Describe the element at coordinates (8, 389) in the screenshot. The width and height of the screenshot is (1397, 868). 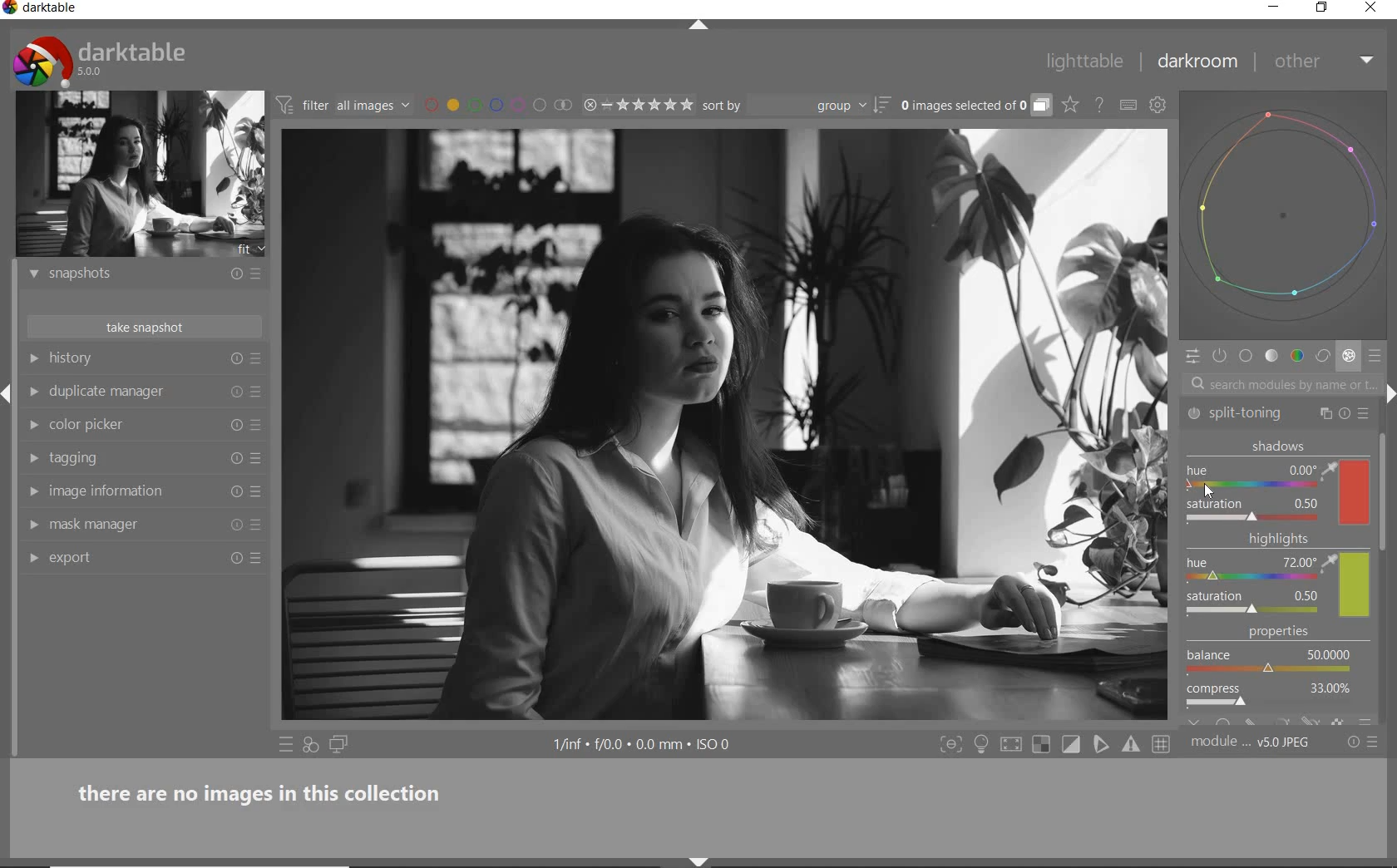
I see `Expand/Collapse` at that location.